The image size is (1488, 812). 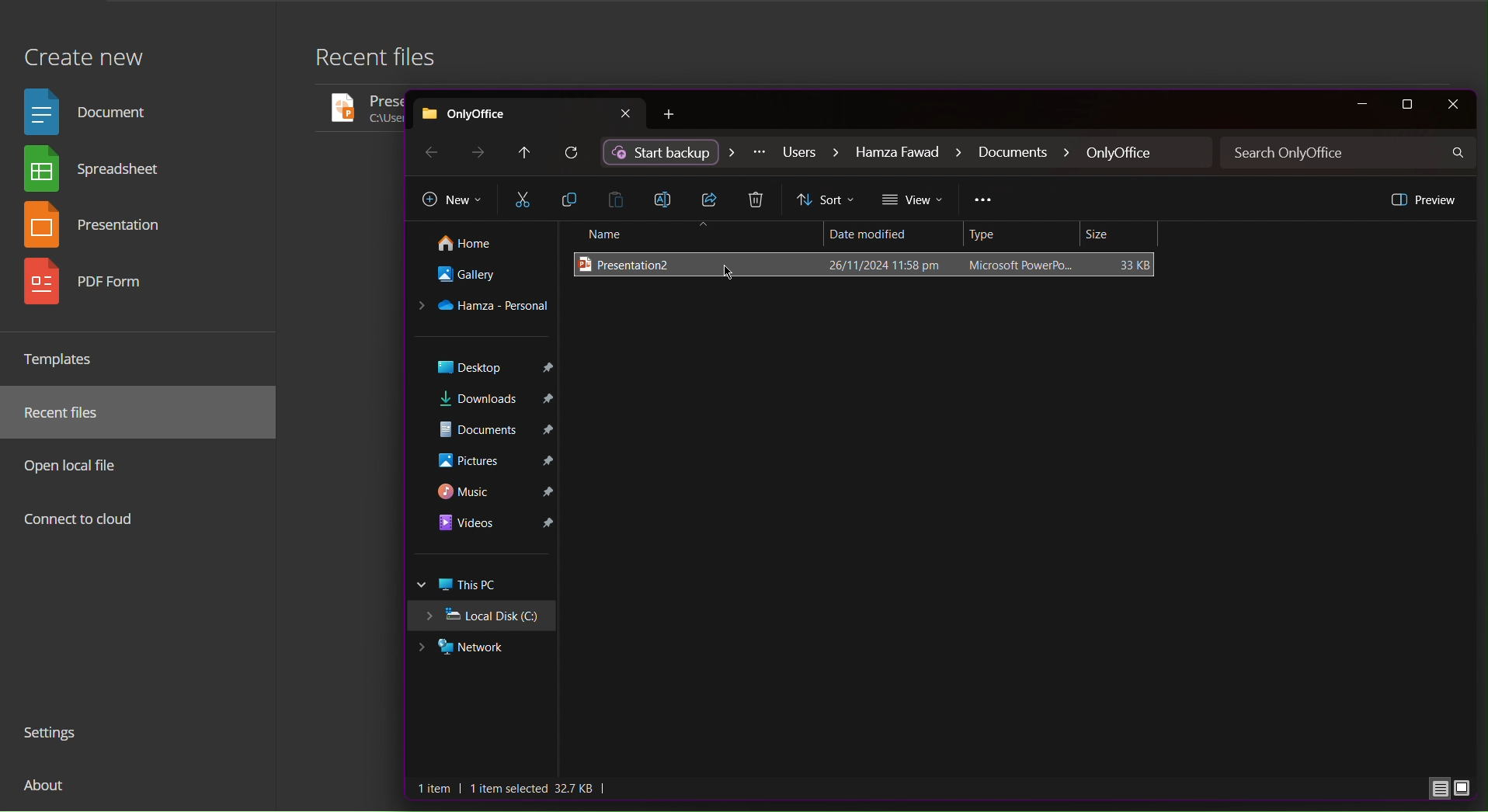 What do you see at coordinates (65, 359) in the screenshot?
I see `Templates` at bounding box center [65, 359].